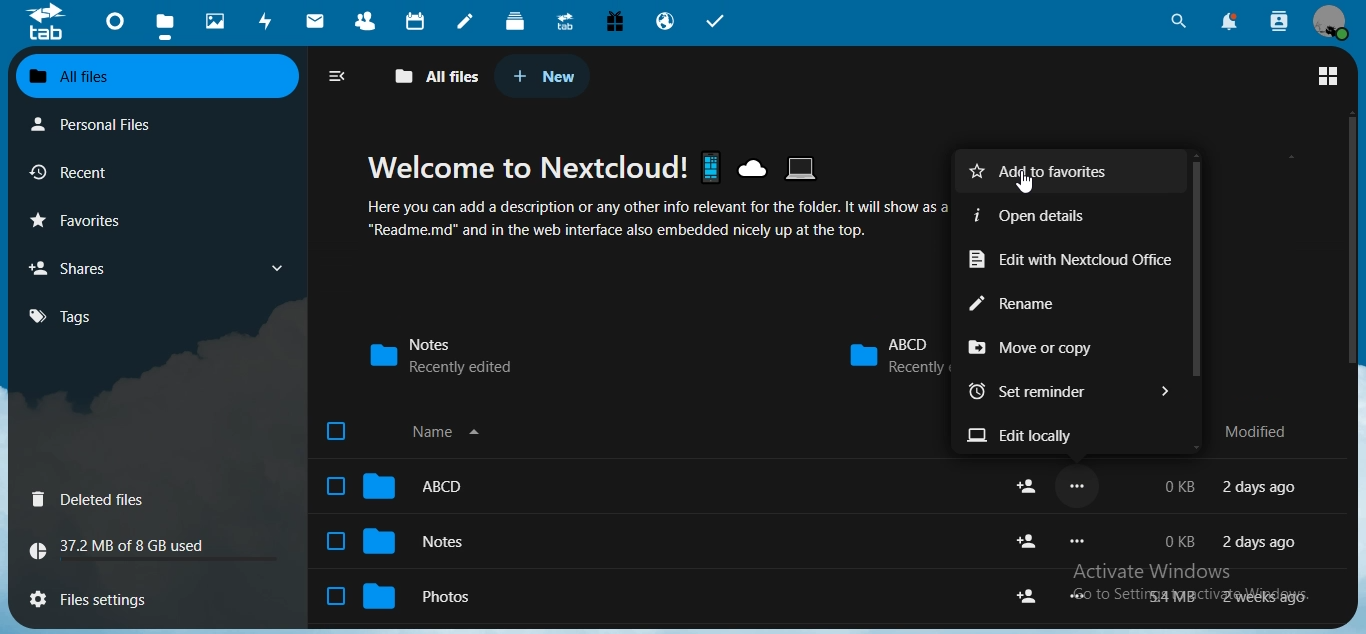 The height and width of the screenshot is (634, 1366). I want to click on files settings, so click(99, 602).